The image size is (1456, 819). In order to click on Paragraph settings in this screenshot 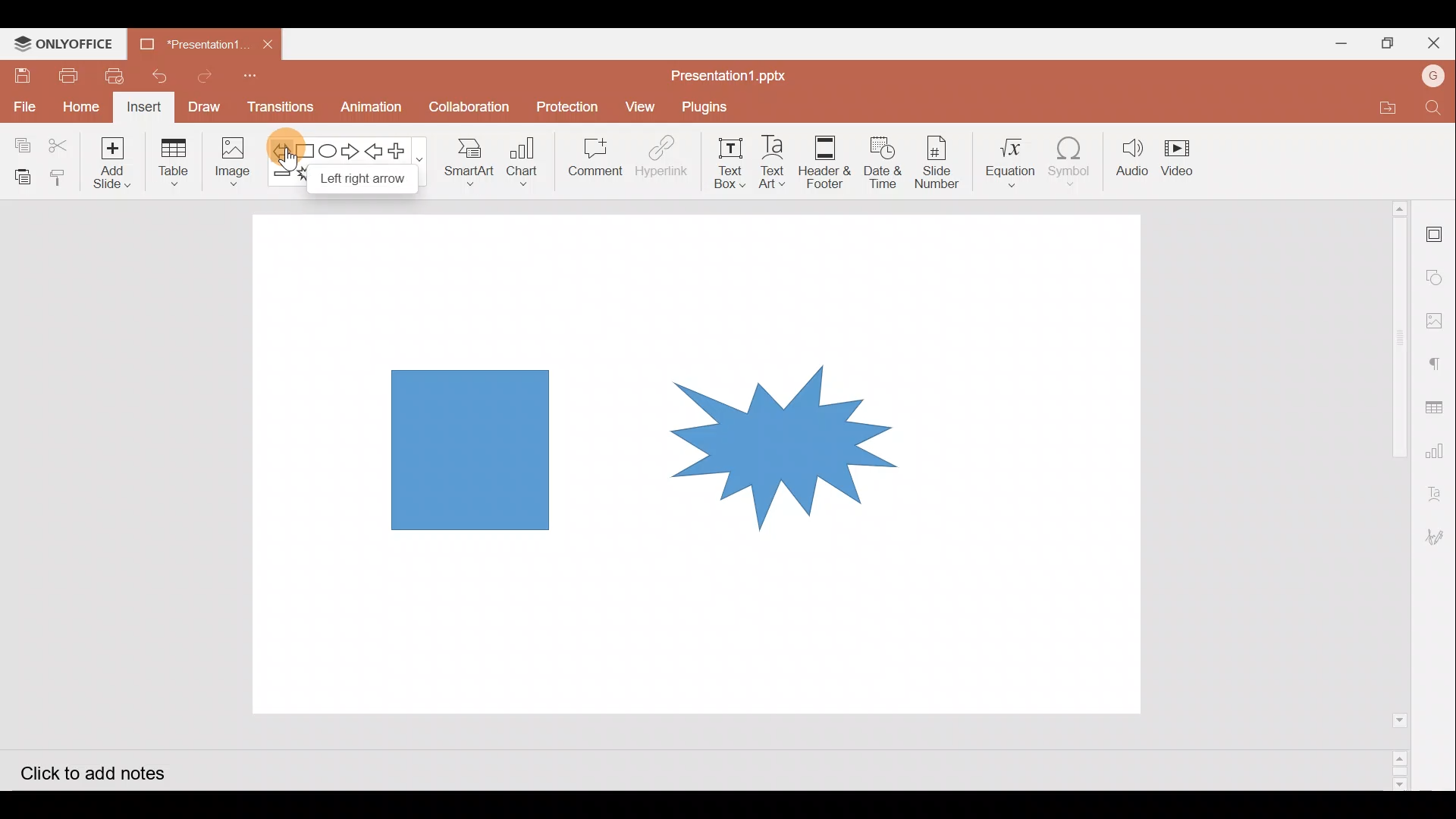, I will do `click(1436, 366)`.